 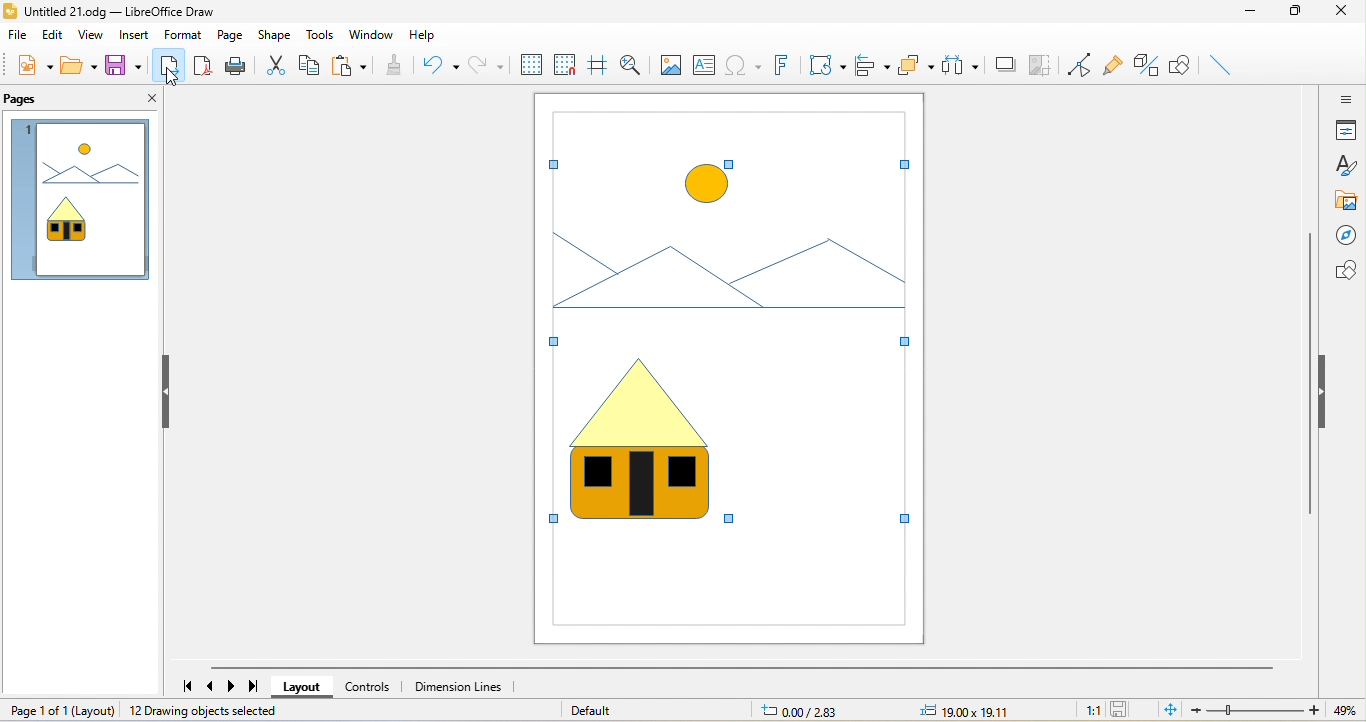 What do you see at coordinates (135, 36) in the screenshot?
I see `insert` at bounding box center [135, 36].